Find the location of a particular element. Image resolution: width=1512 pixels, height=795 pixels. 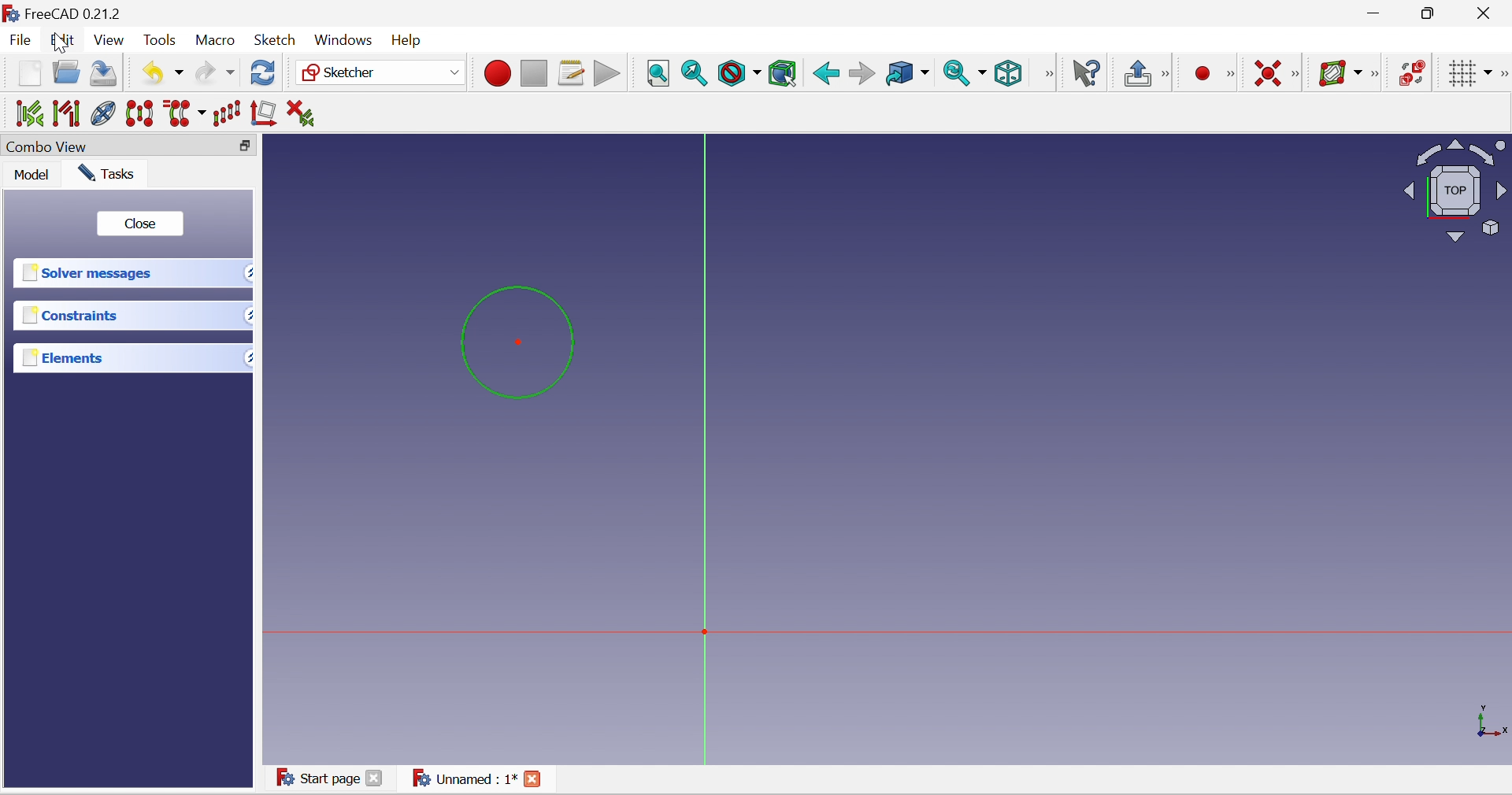

Mode is located at coordinates (31, 175).